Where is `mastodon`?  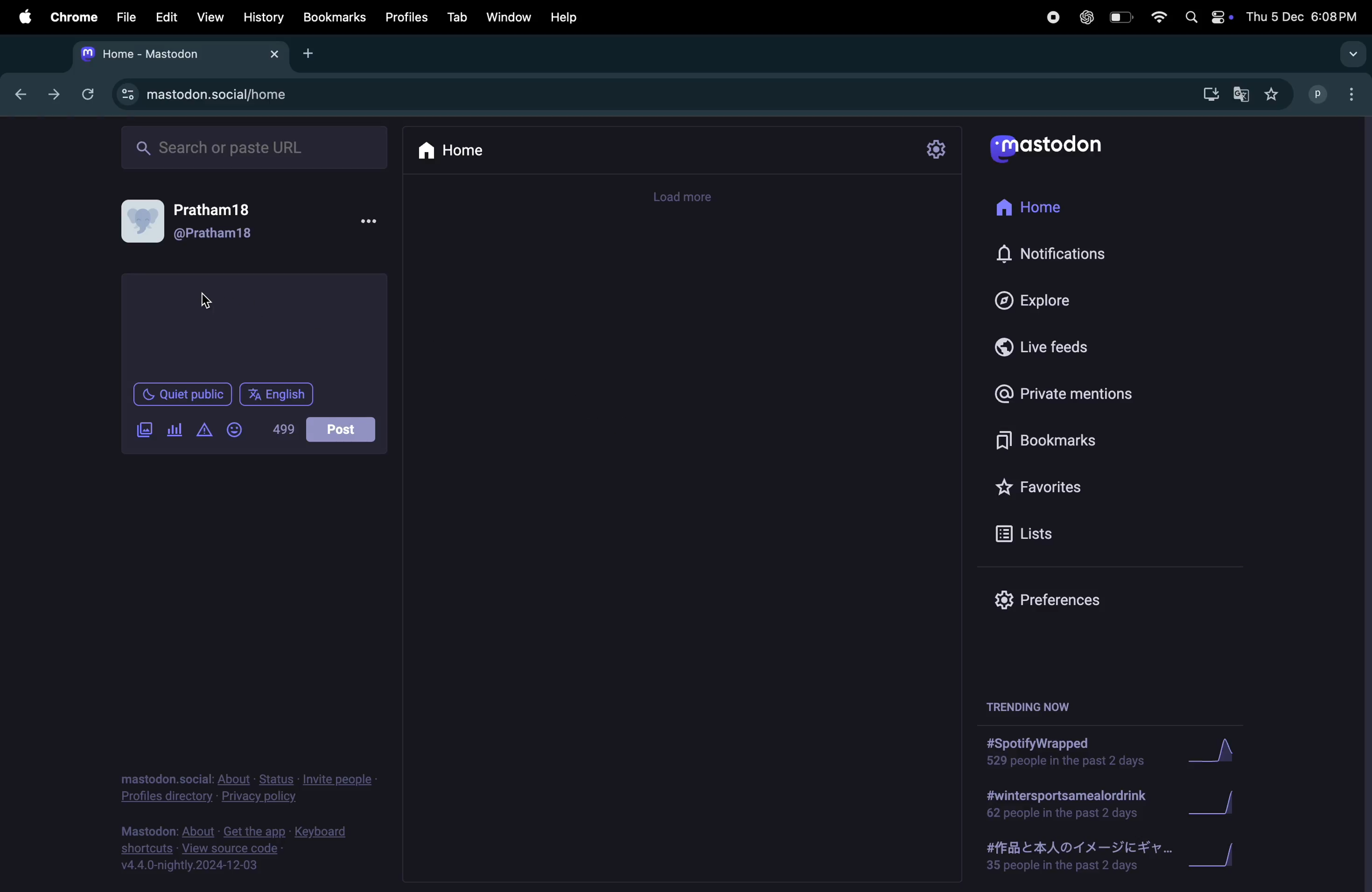
mastodon is located at coordinates (1056, 147).